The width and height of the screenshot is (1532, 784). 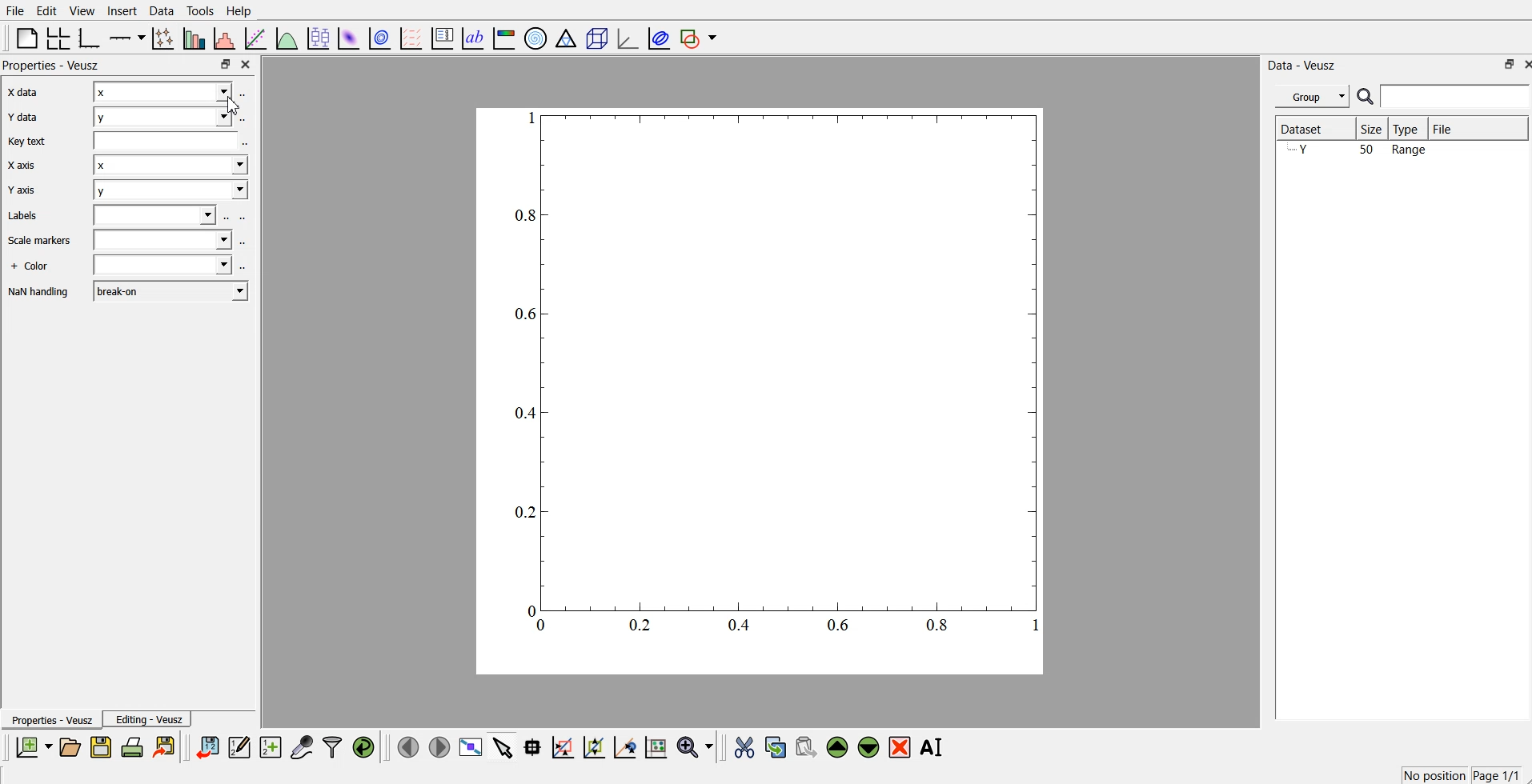 I want to click on recenter graph axes, so click(x=624, y=747).